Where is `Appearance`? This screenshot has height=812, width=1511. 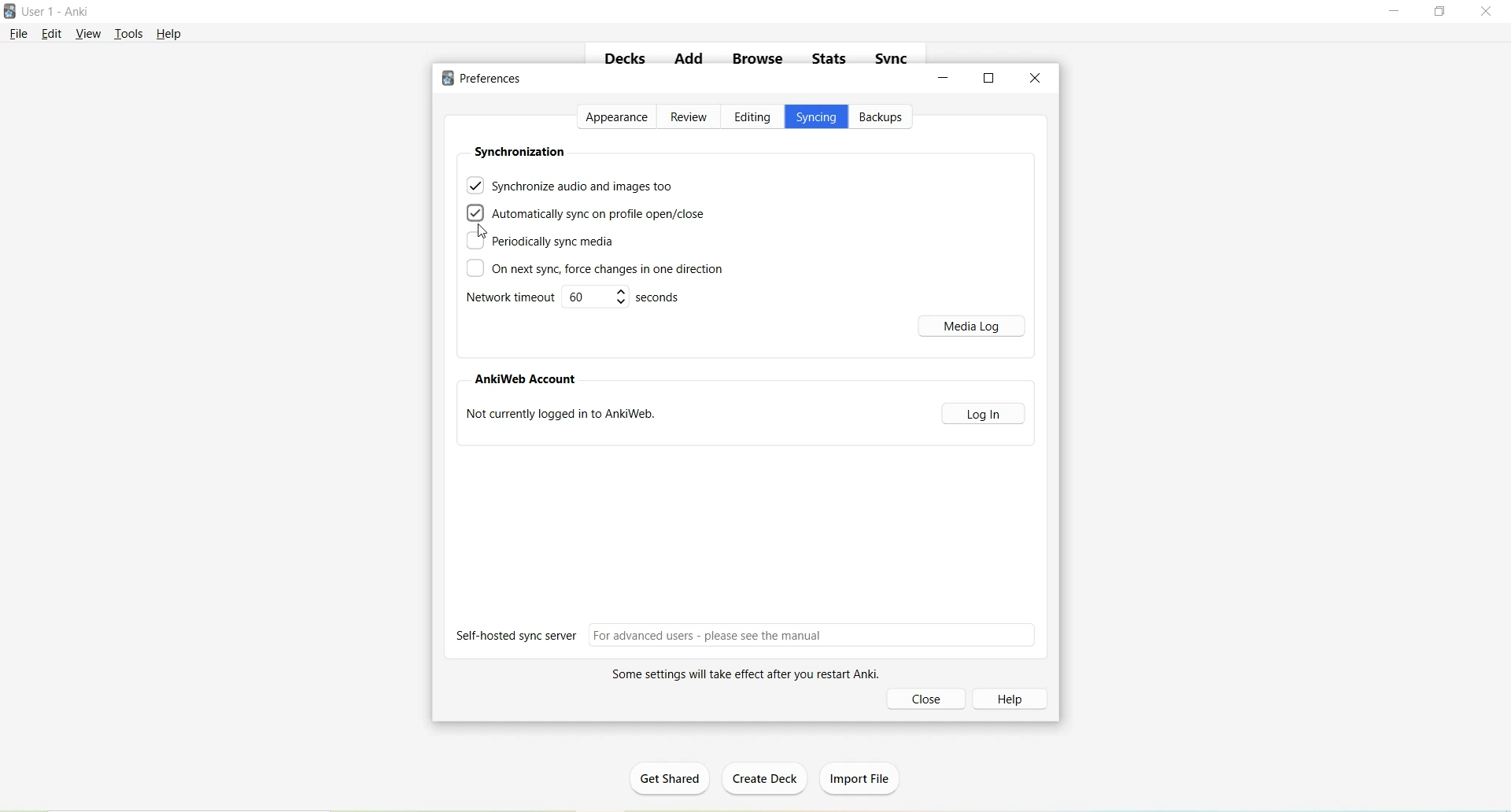
Appearance is located at coordinates (618, 117).